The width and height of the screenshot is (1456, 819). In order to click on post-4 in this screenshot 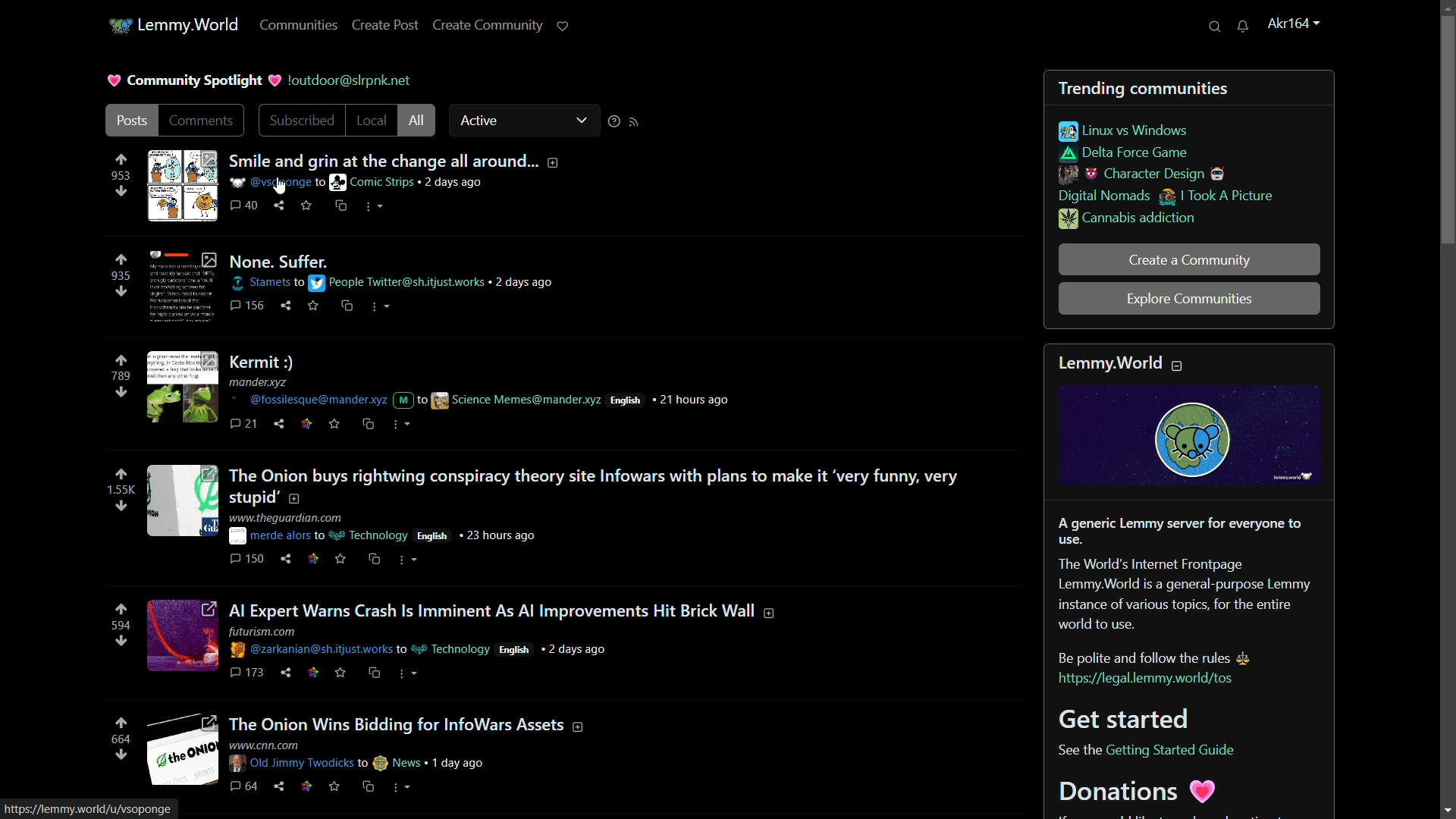, I will do `click(595, 485)`.